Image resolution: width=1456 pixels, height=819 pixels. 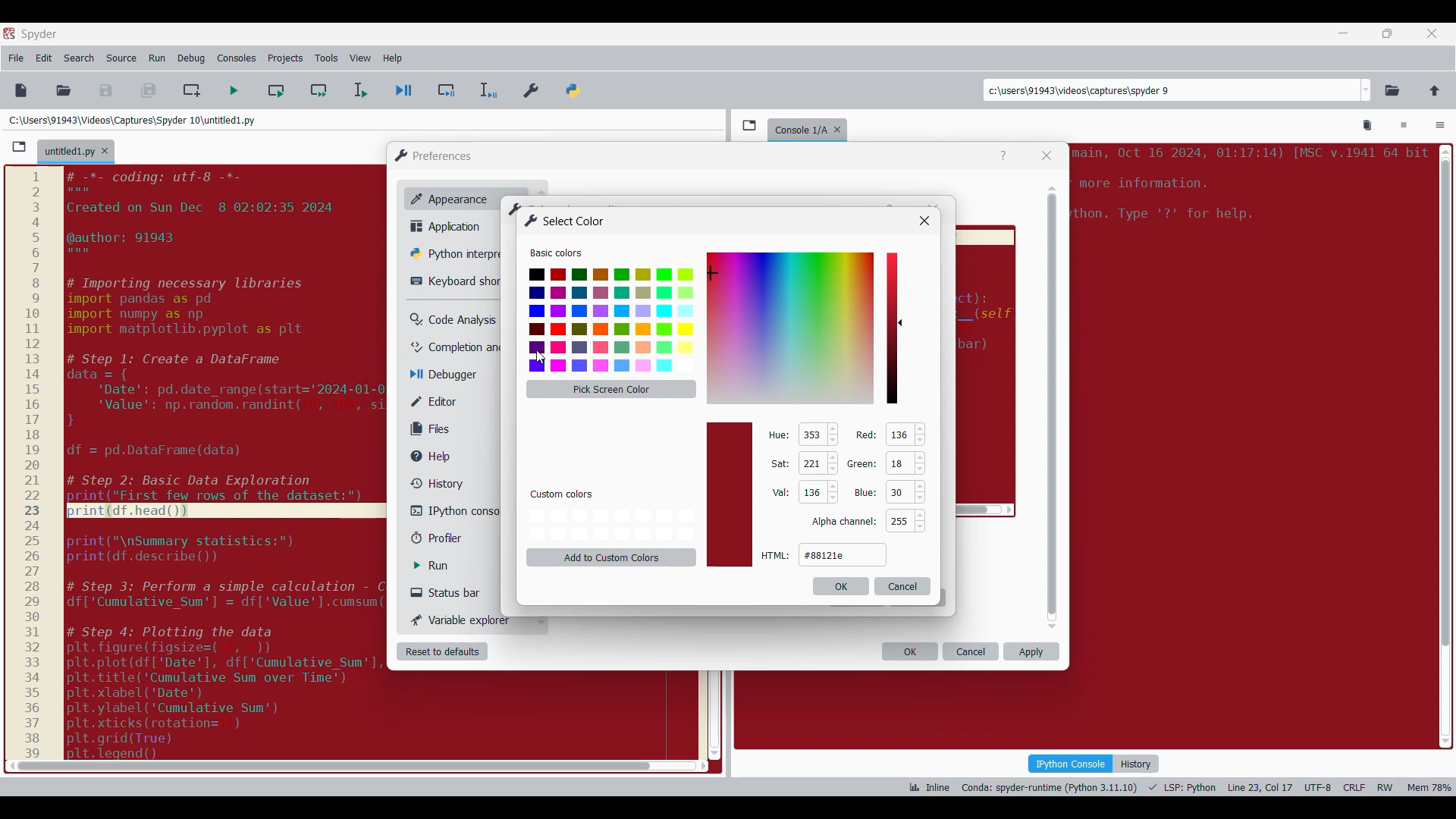 I want to click on Software logo, so click(x=9, y=33).